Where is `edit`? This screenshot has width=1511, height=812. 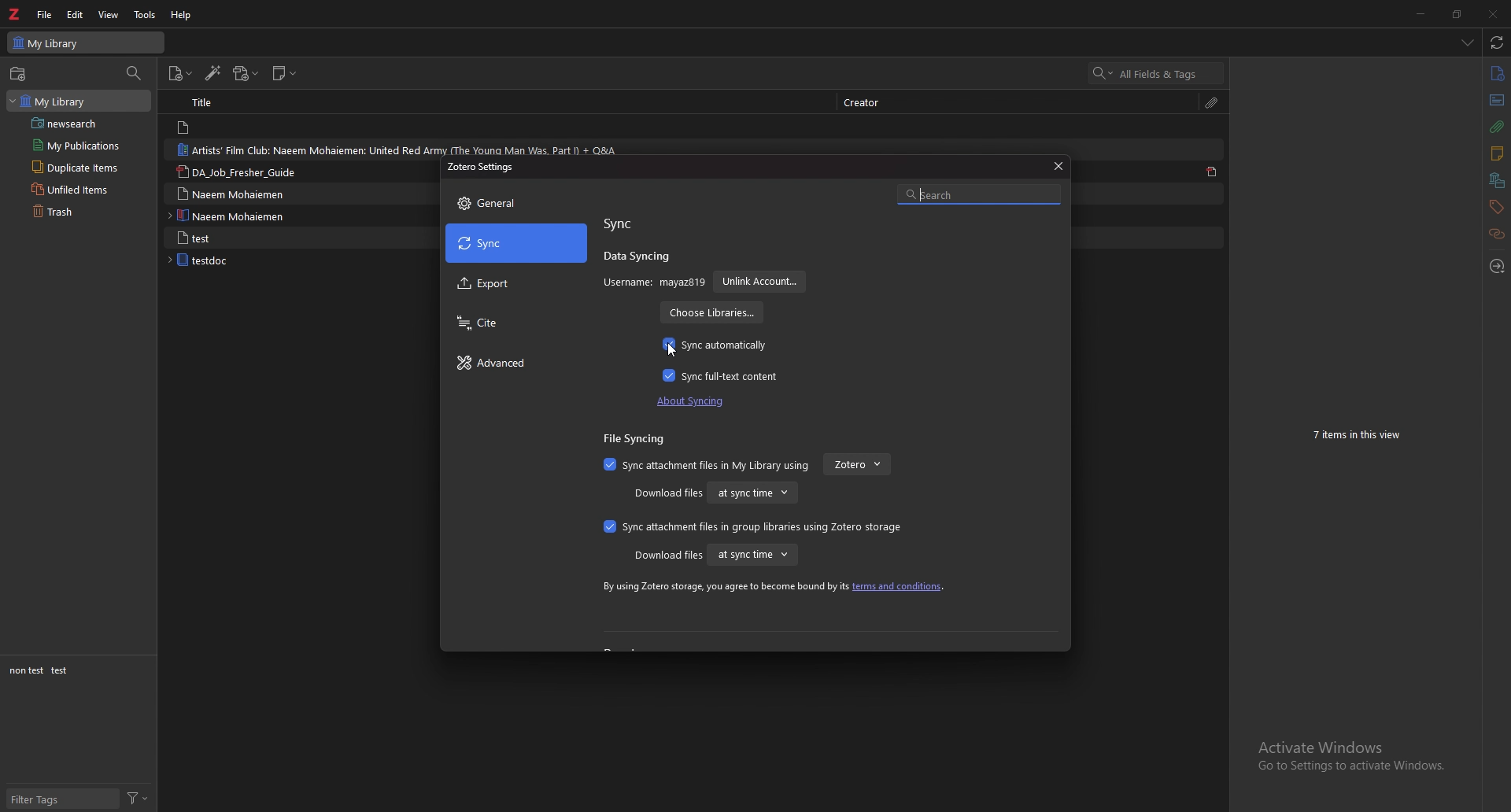
edit is located at coordinates (76, 14).